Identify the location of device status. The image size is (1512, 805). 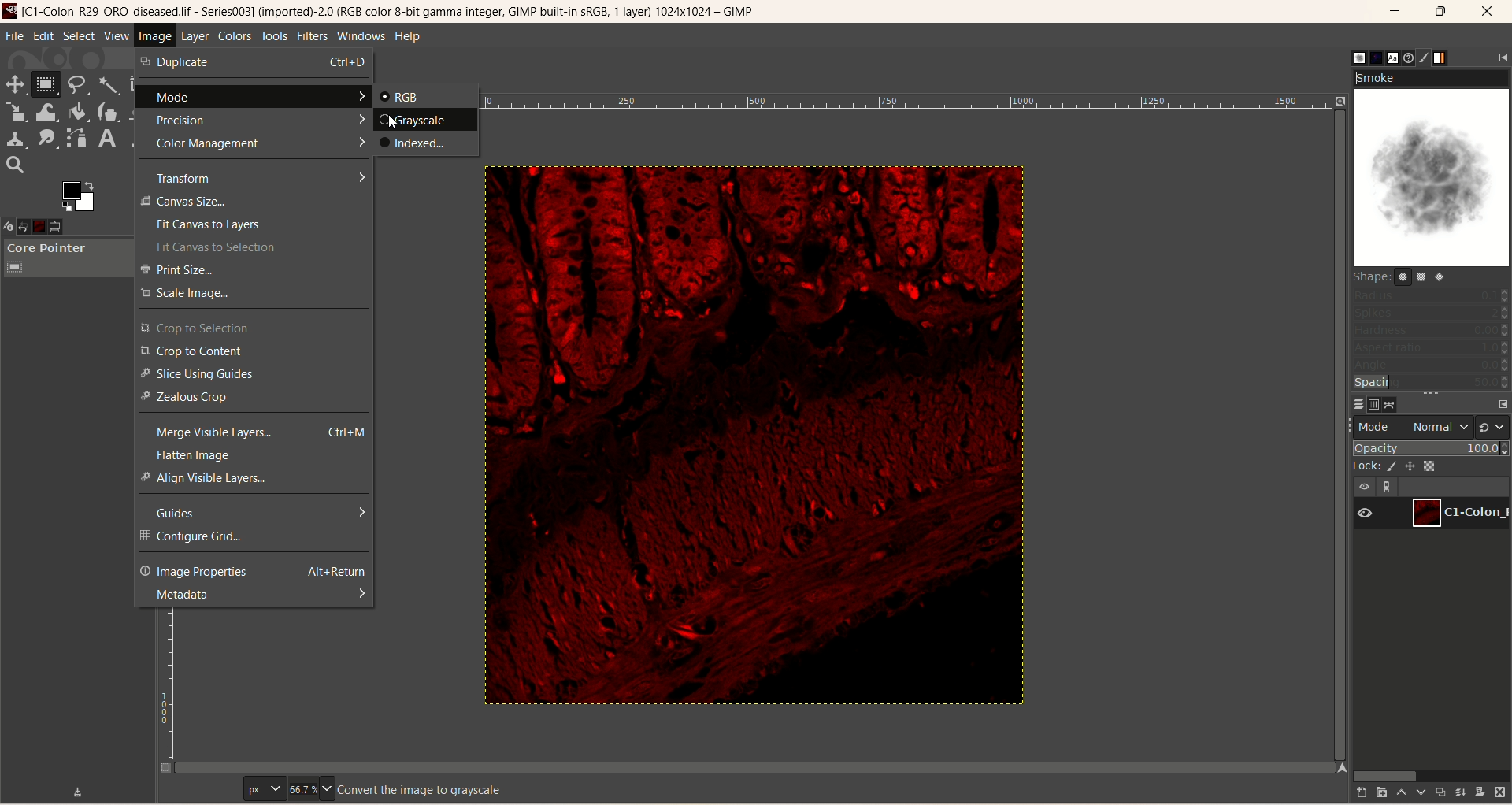
(9, 227).